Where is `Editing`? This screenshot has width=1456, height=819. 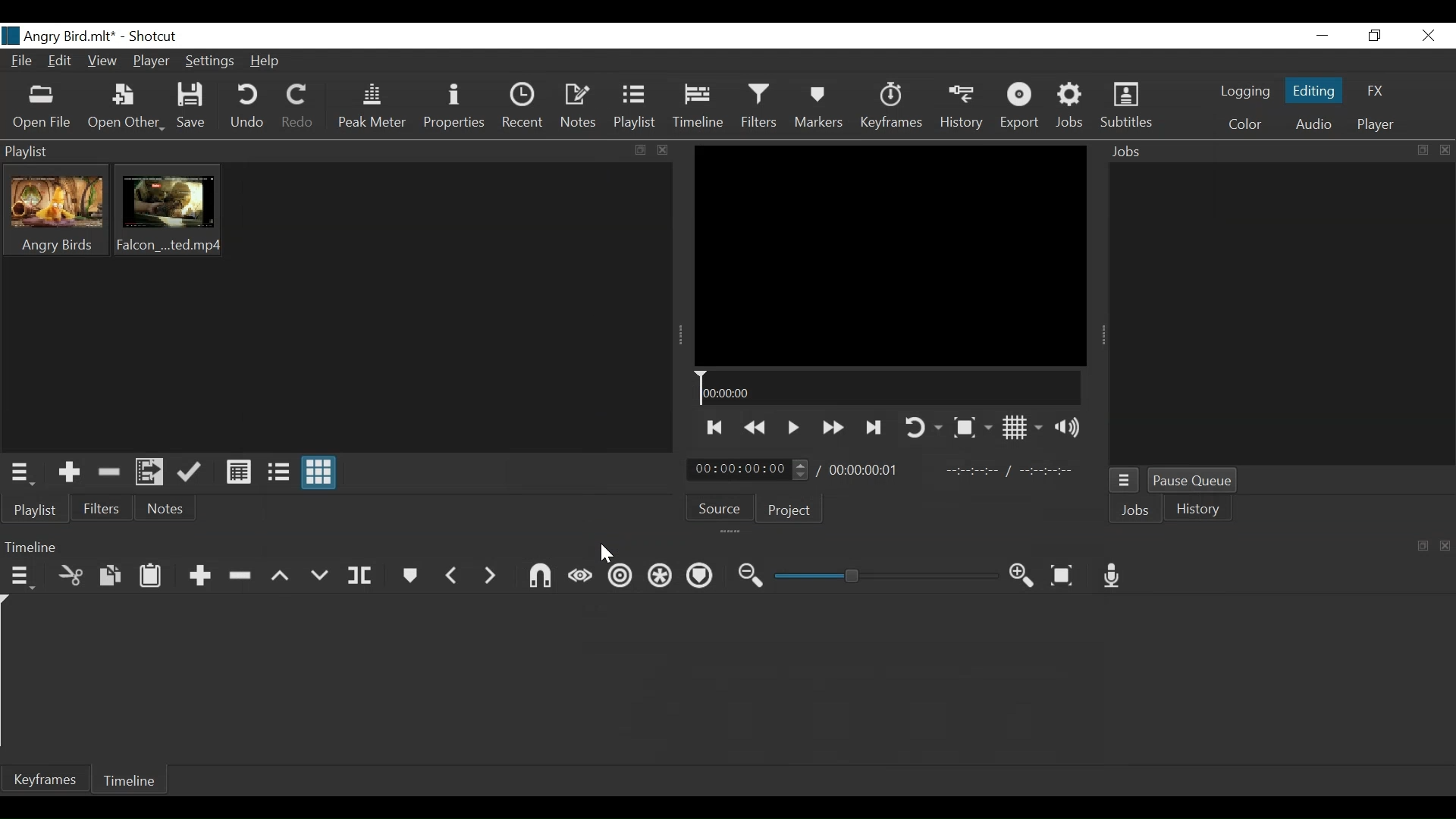 Editing is located at coordinates (1313, 89).